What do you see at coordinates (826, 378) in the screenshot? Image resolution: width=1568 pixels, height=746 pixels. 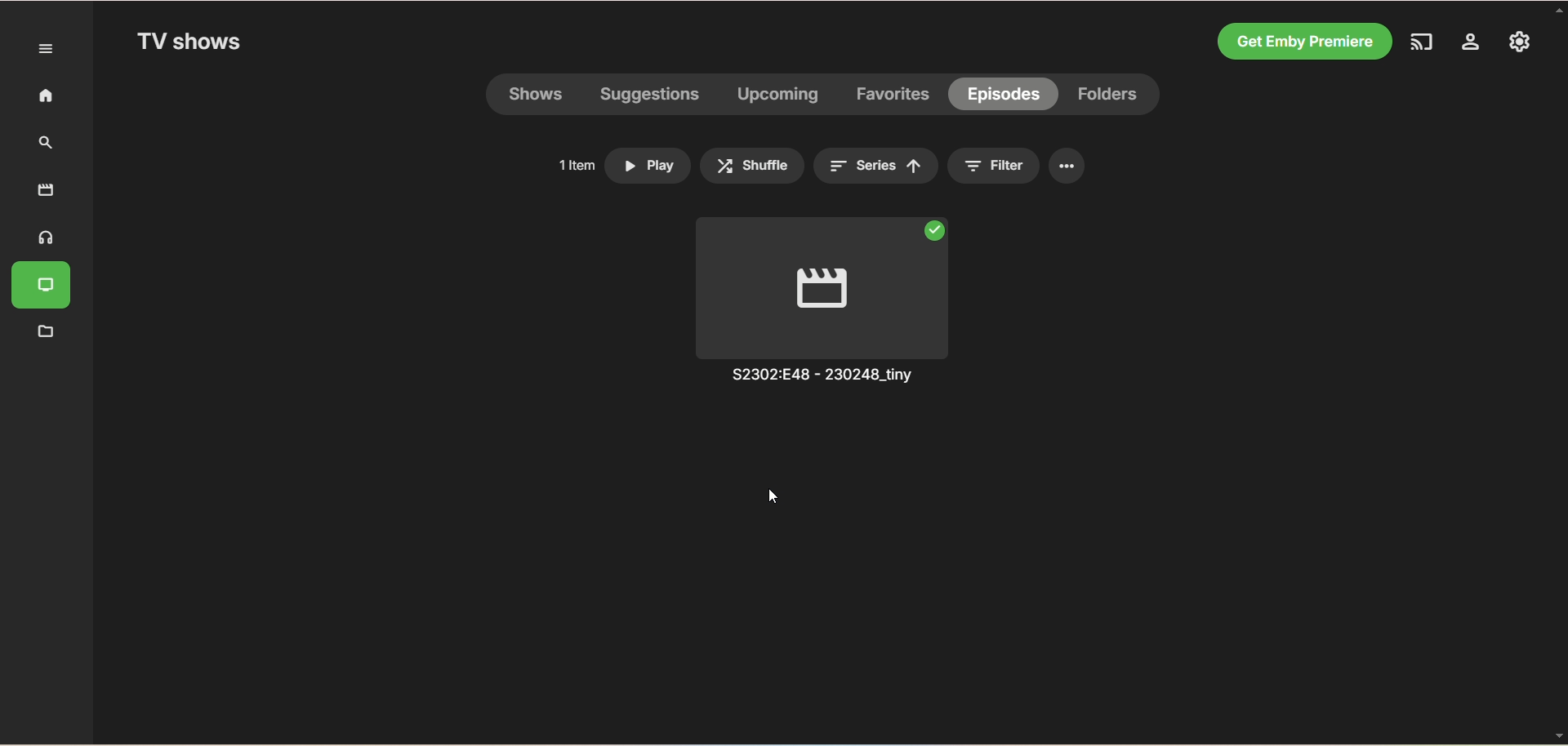 I see `$2302:E48 - 230248_tiny` at bounding box center [826, 378].